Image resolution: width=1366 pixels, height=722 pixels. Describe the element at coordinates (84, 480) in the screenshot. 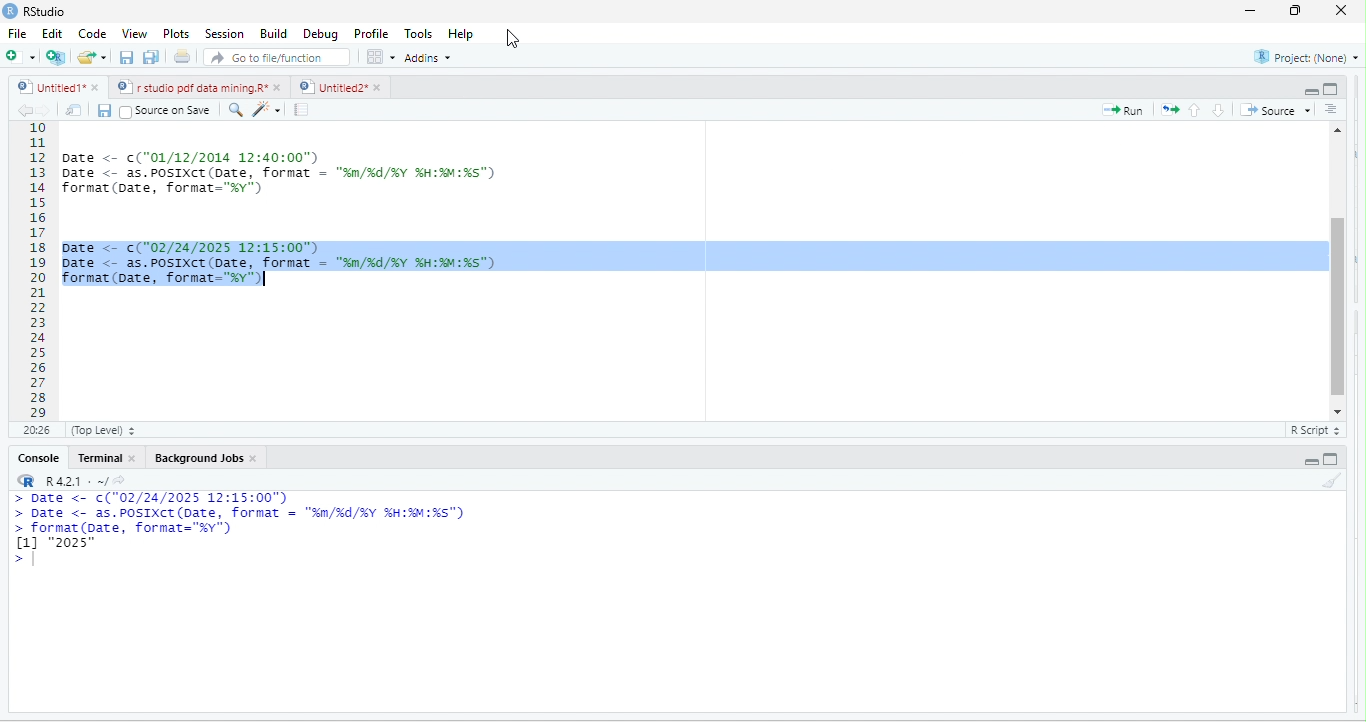

I see `R421: ~/` at that location.